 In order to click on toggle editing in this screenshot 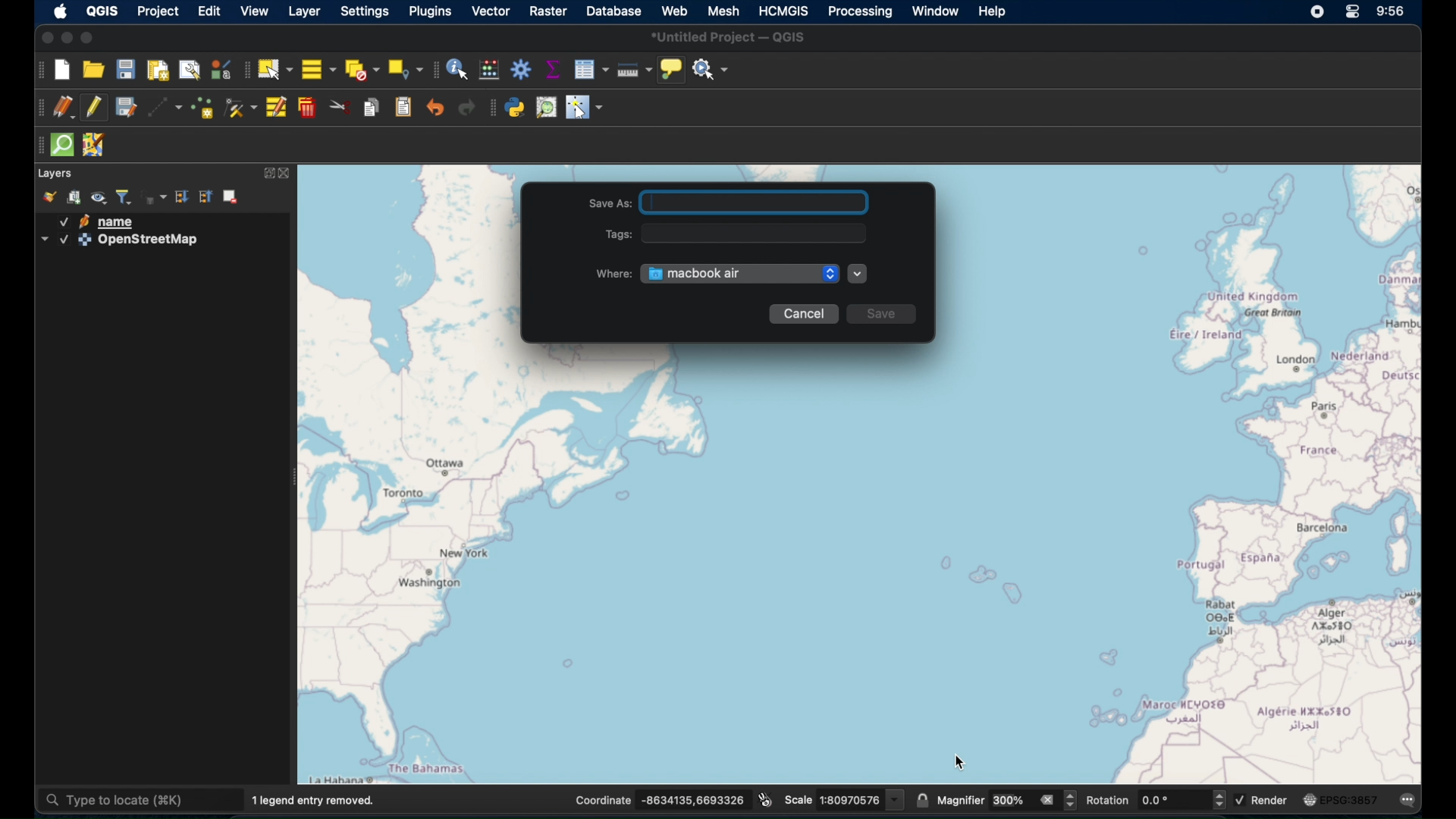, I will do `click(93, 108)`.